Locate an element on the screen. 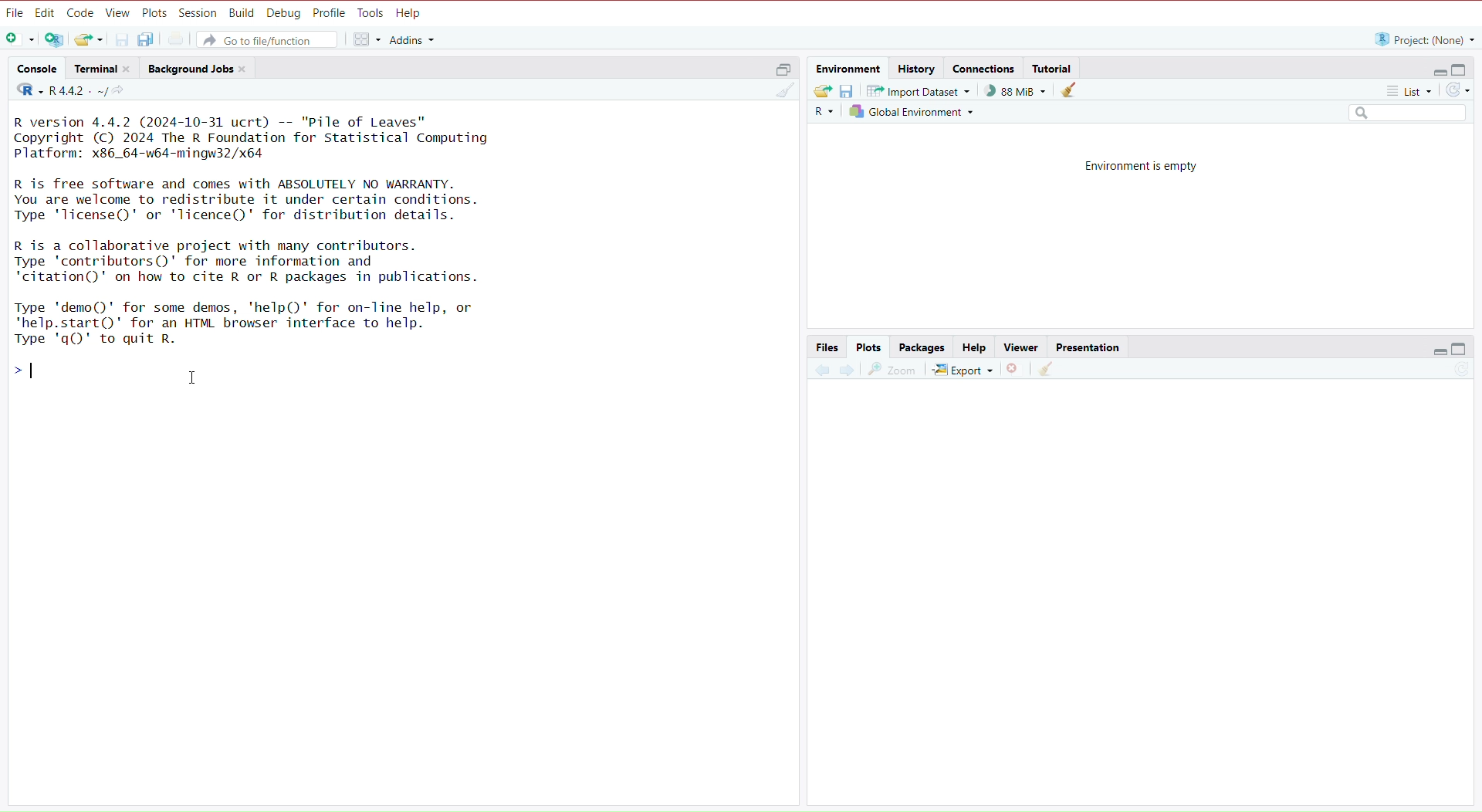 The image size is (1482, 812). Environment is located at coordinates (849, 67).